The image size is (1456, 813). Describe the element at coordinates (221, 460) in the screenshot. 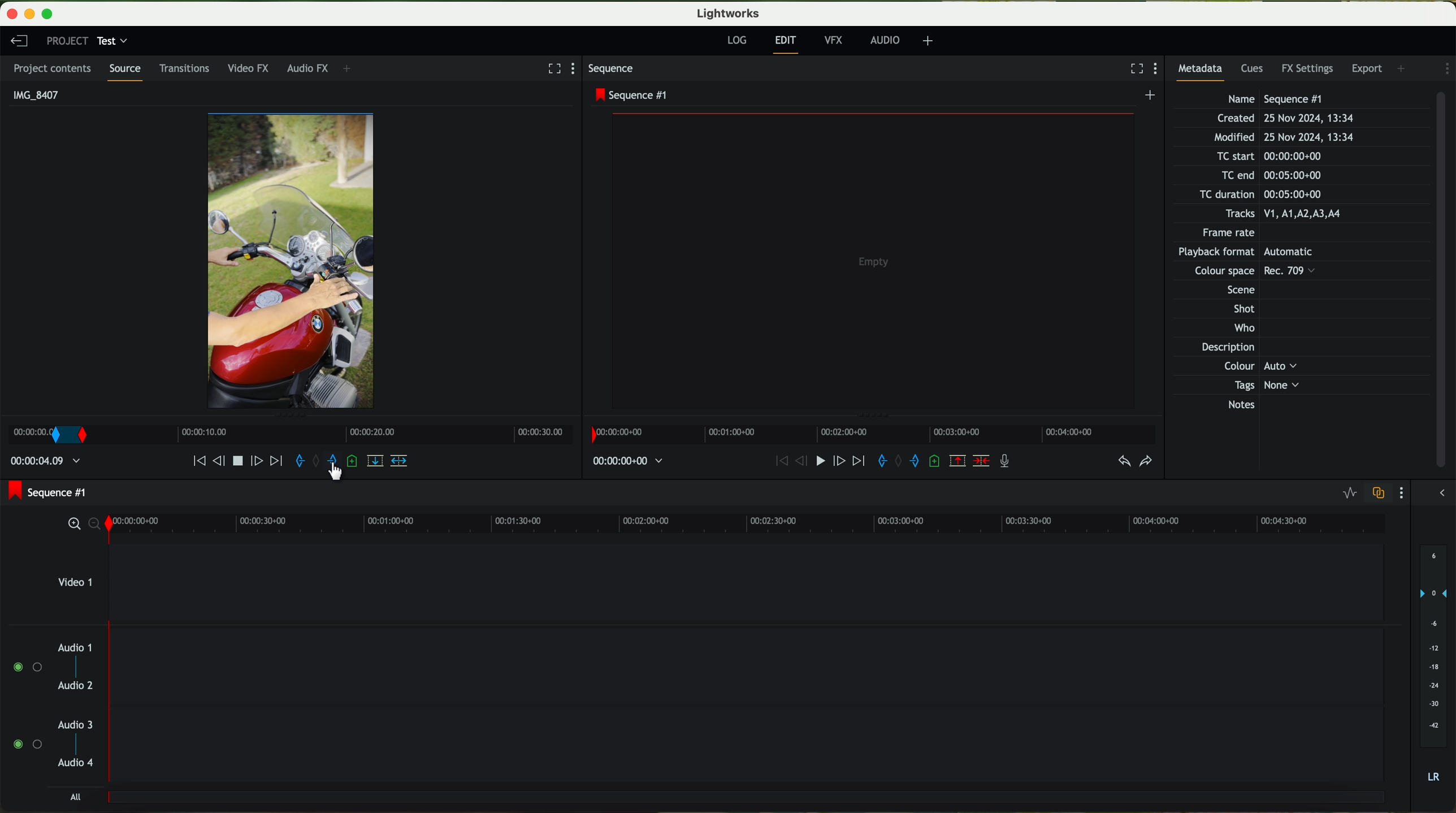

I see `nudge one frame back` at that location.